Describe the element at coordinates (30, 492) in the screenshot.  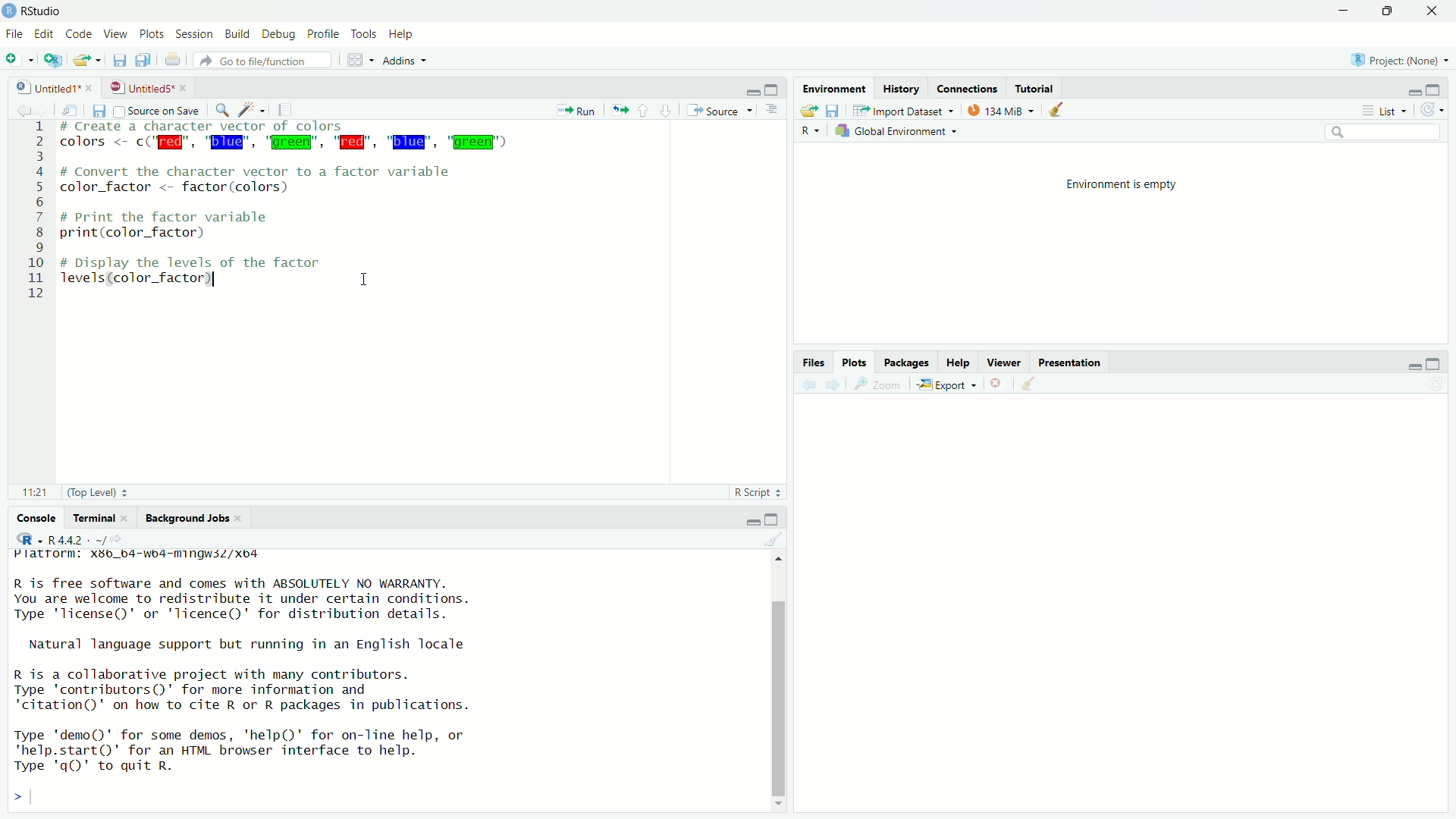
I see `12:1` at that location.